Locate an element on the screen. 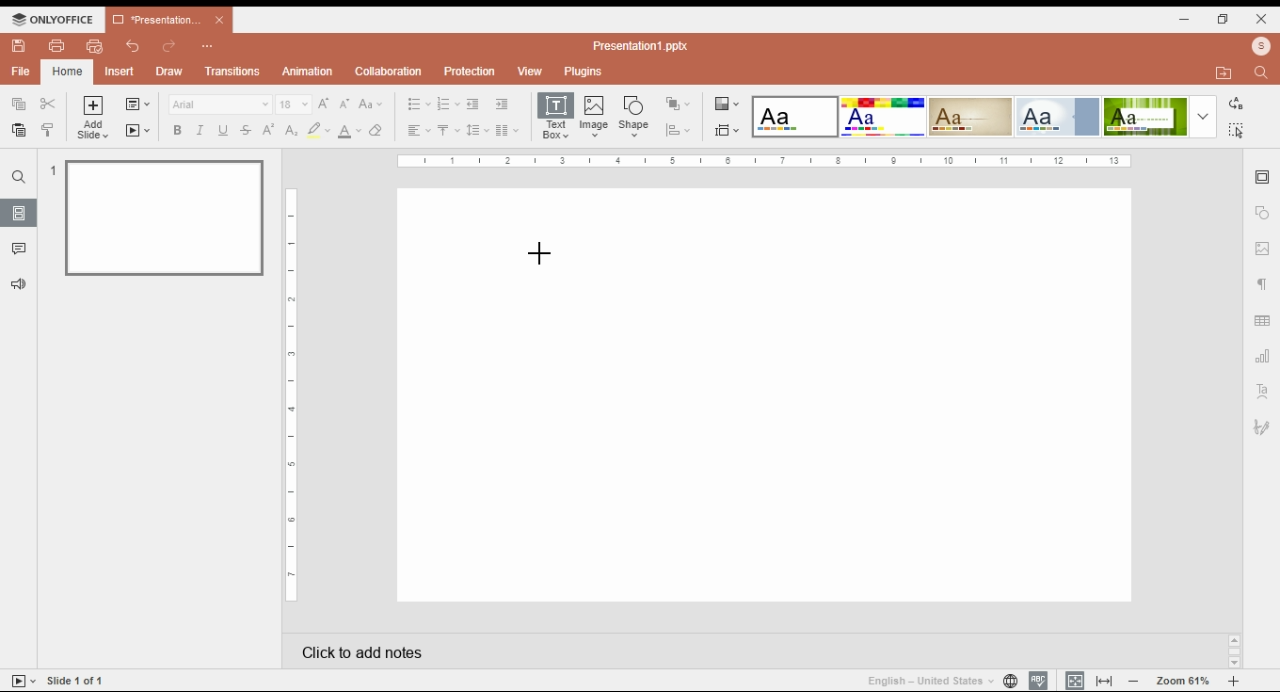 The width and height of the screenshot is (1280, 692). vertical alignment is located at coordinates (448, 131).